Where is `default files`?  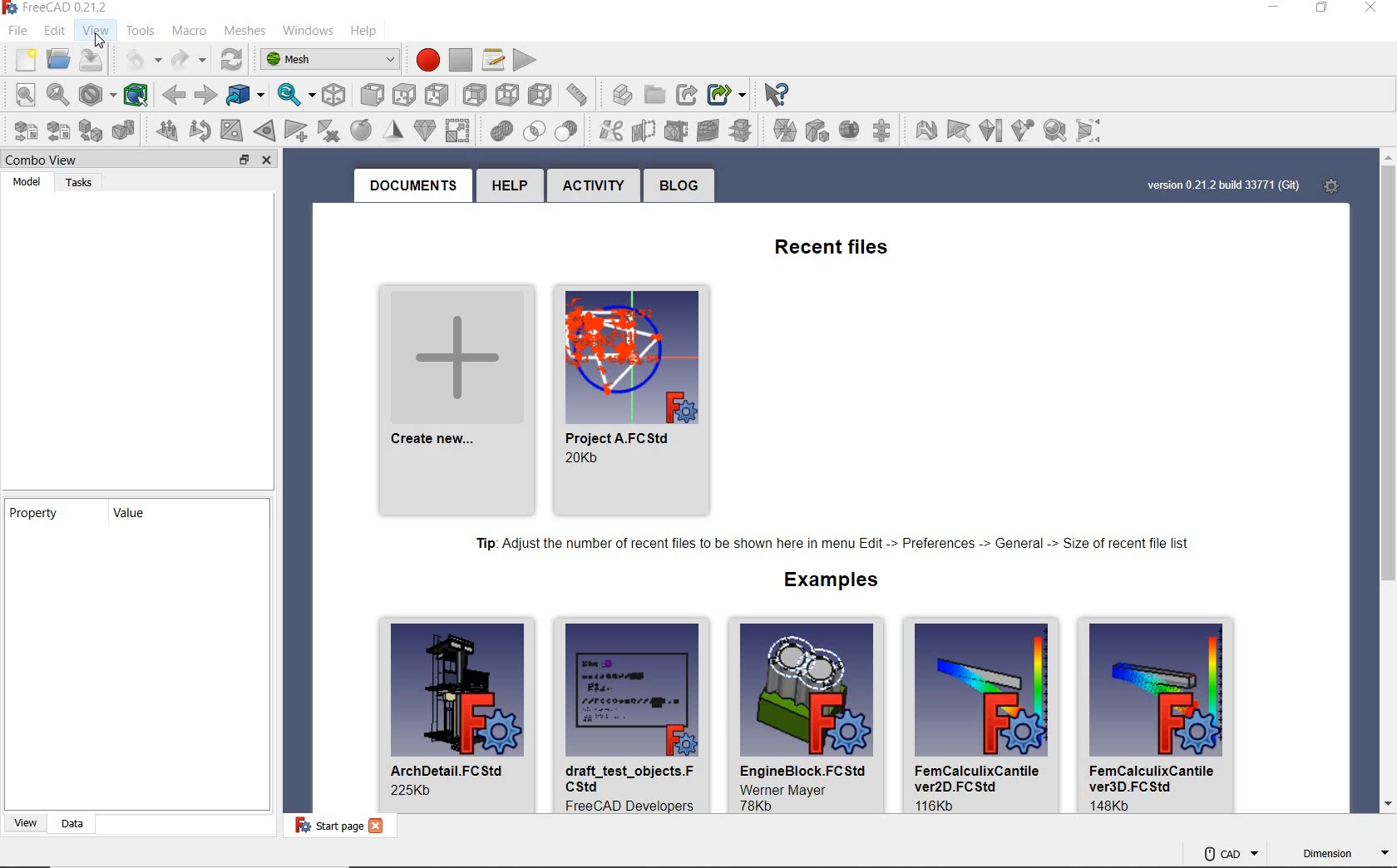 default files is located at coordinates (802, 713).